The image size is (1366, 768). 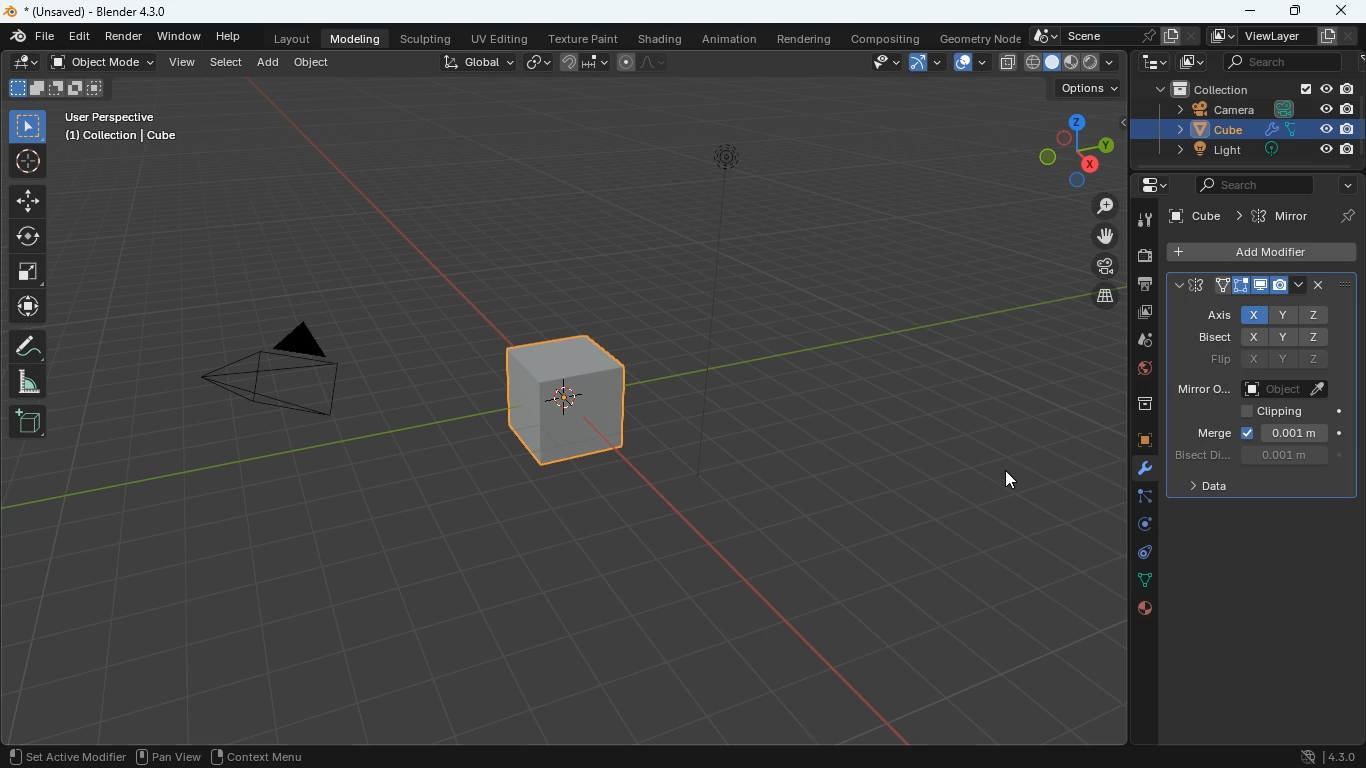 I want to click on render, so click(x=126, y=39).